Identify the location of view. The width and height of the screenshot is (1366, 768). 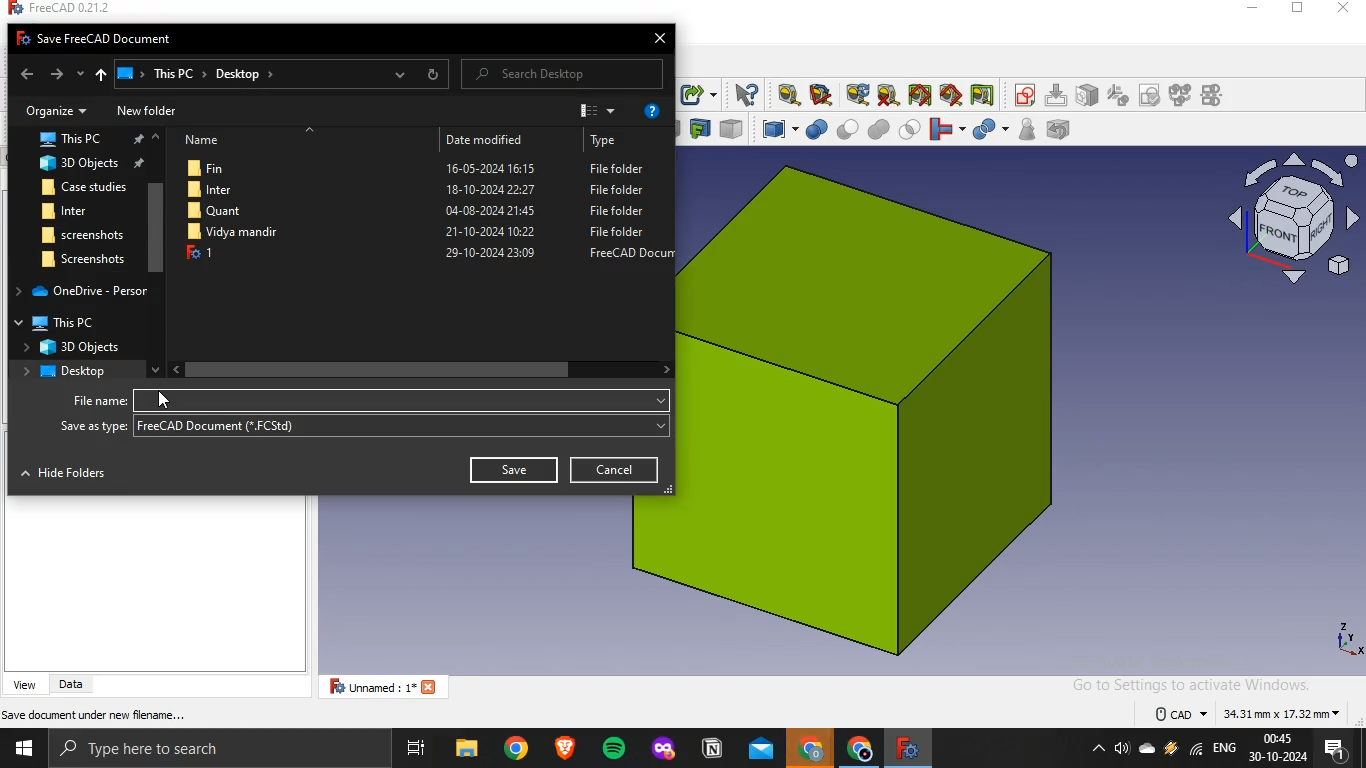
(26, 686).